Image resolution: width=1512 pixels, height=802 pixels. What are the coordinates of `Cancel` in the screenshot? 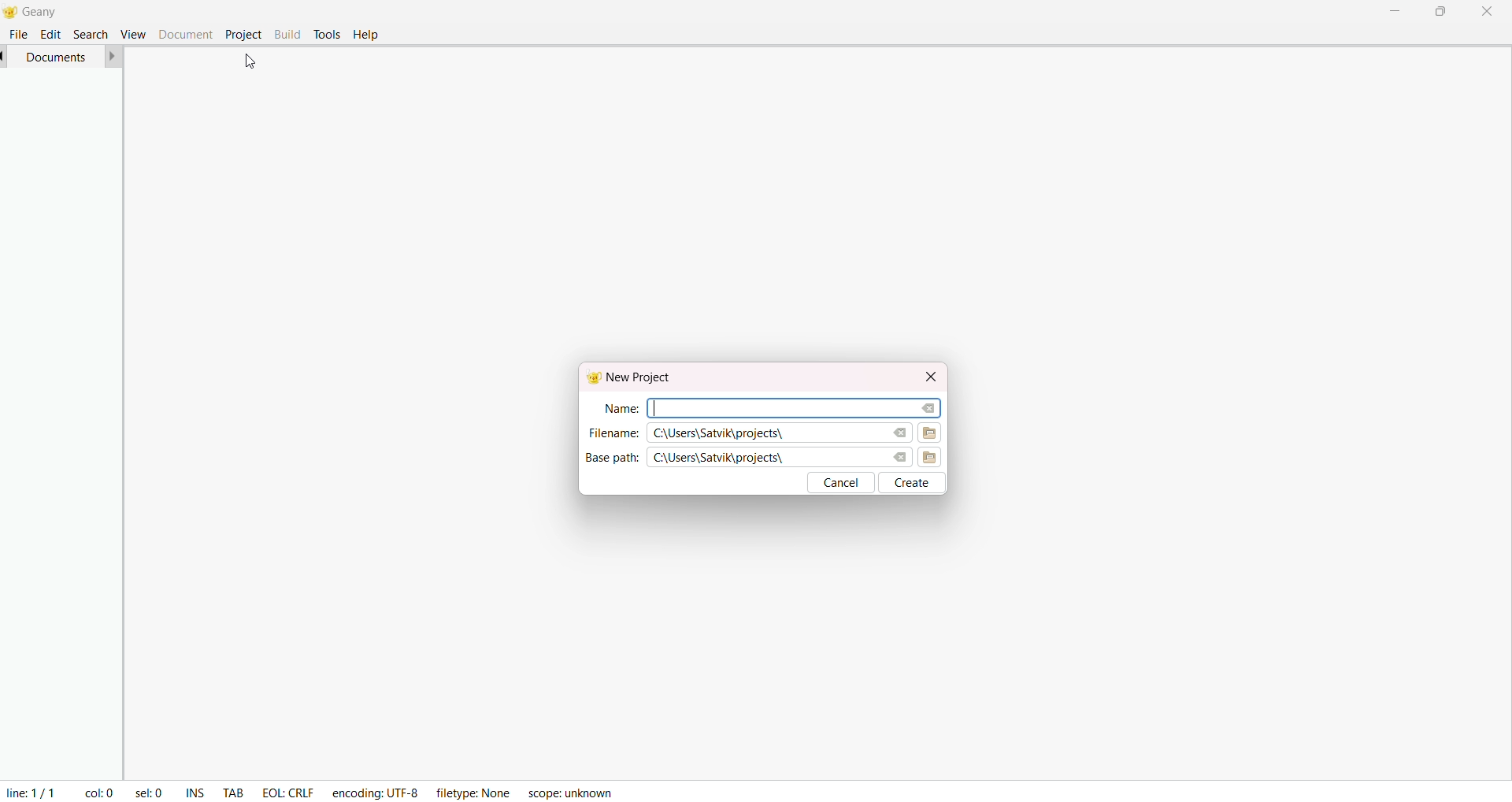 It's located at (843, 483).